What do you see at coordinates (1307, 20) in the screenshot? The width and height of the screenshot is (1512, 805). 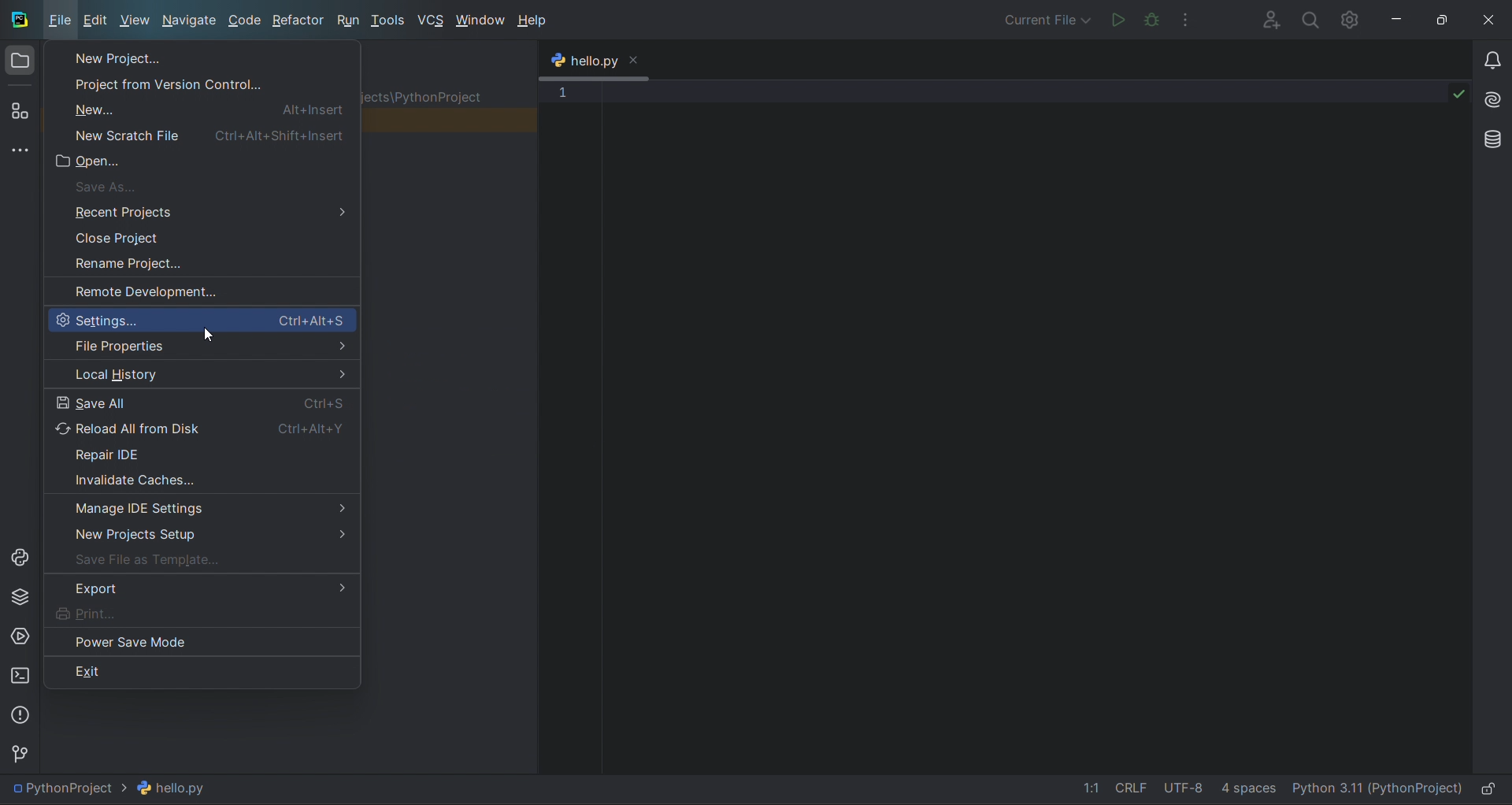 I see `search` at bounding box center [1307, 20].